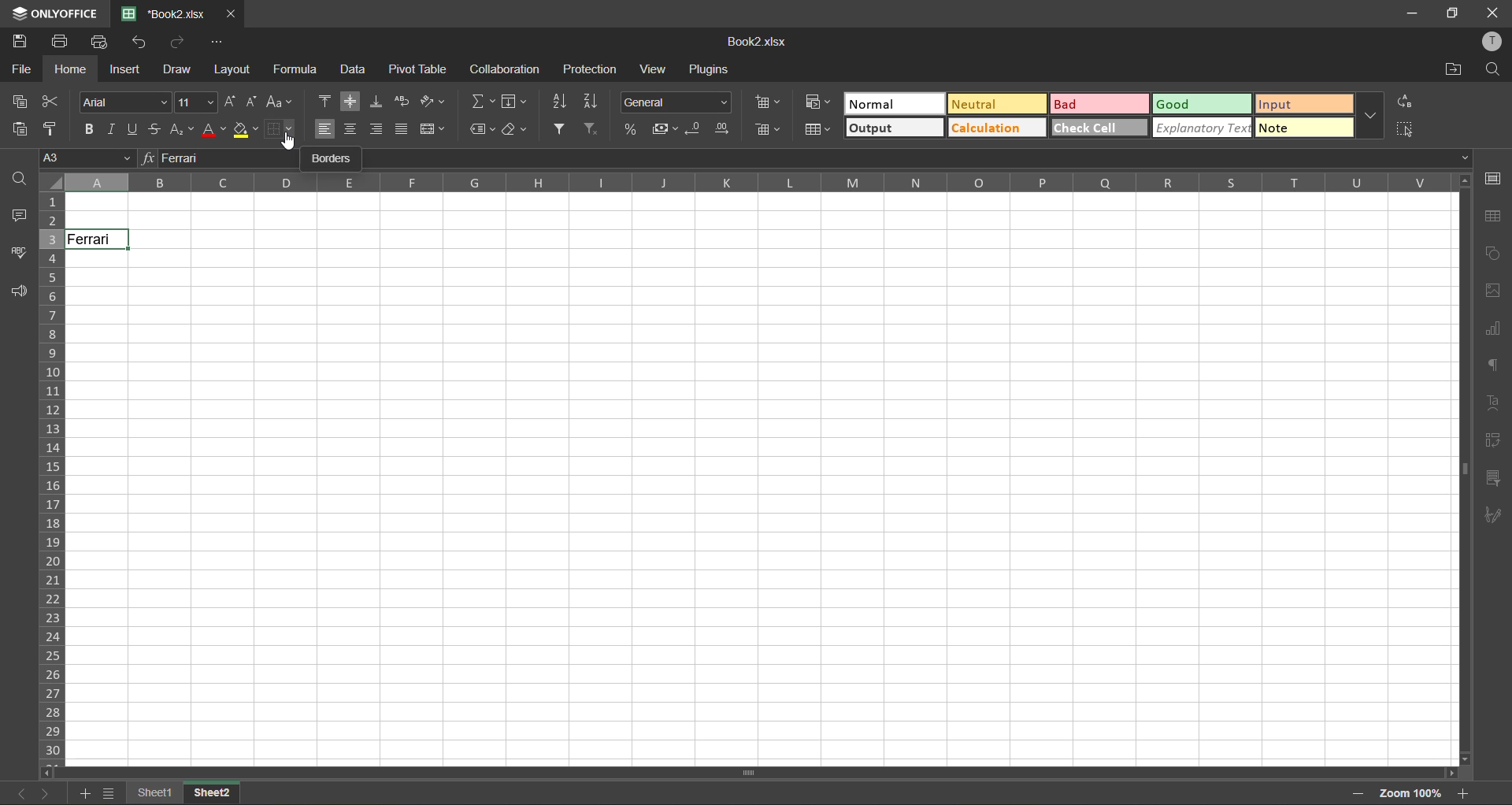  I want to click on paragraph, so click(1490, 367).